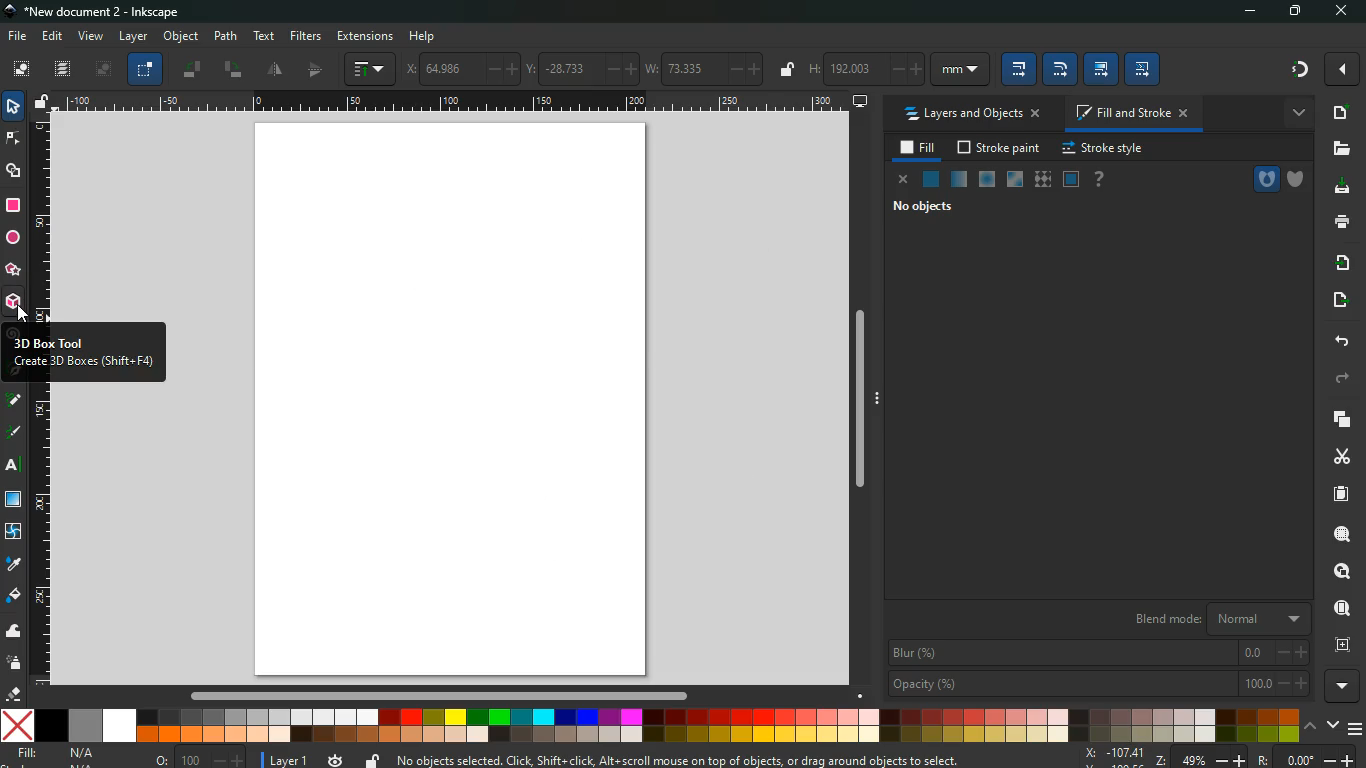 This screenshot has width=1366, height=768. What do you see at coordinates (578, 66) in the screenshot?
I see `y` at bounding box center [578, 66].